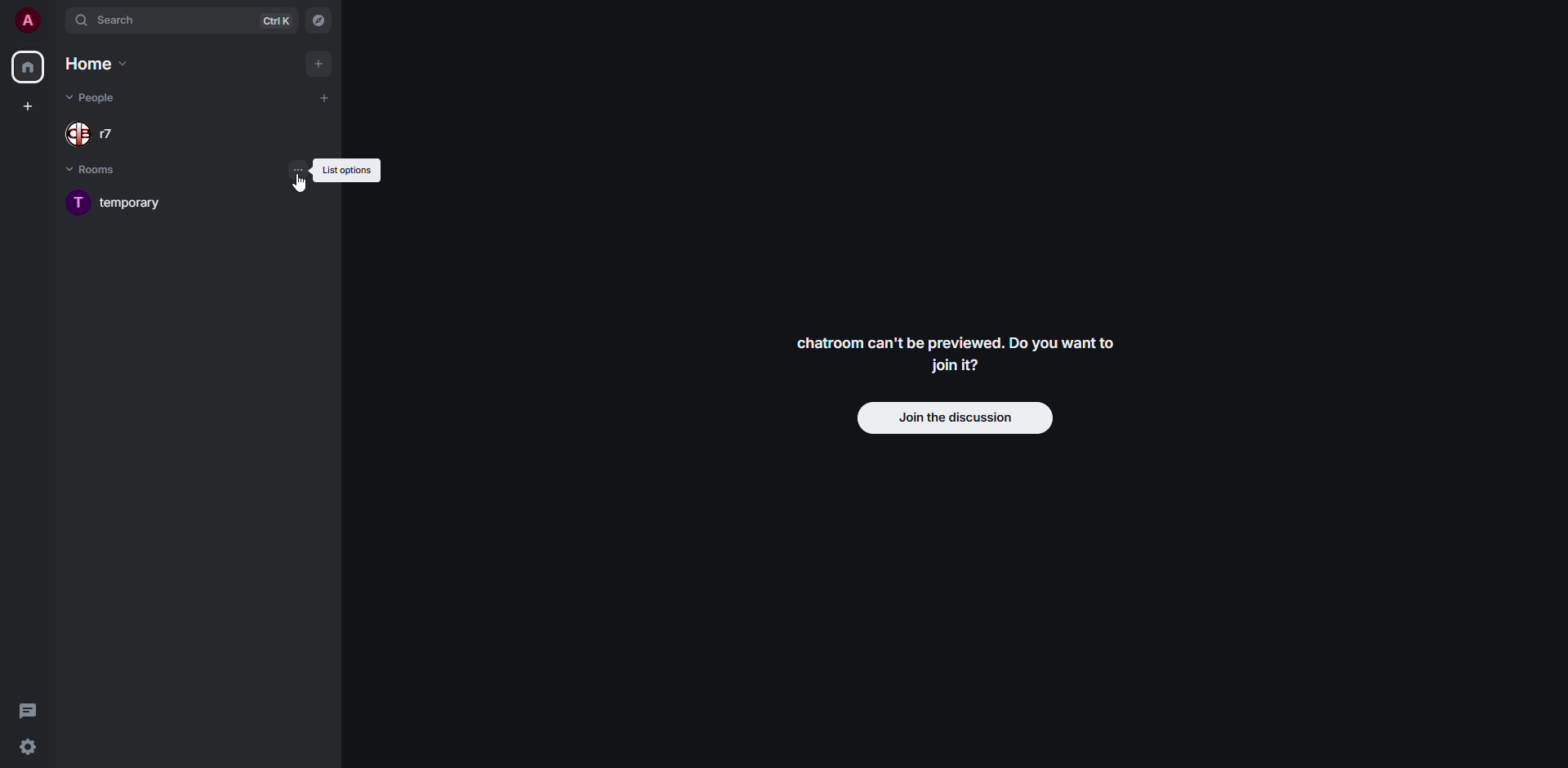 Image resolution: width=1568 pixels, height=768 pixels. What do you see at coordinates (114, 20) in the screenshot?
I see `search` at bounding box center [114, 20].